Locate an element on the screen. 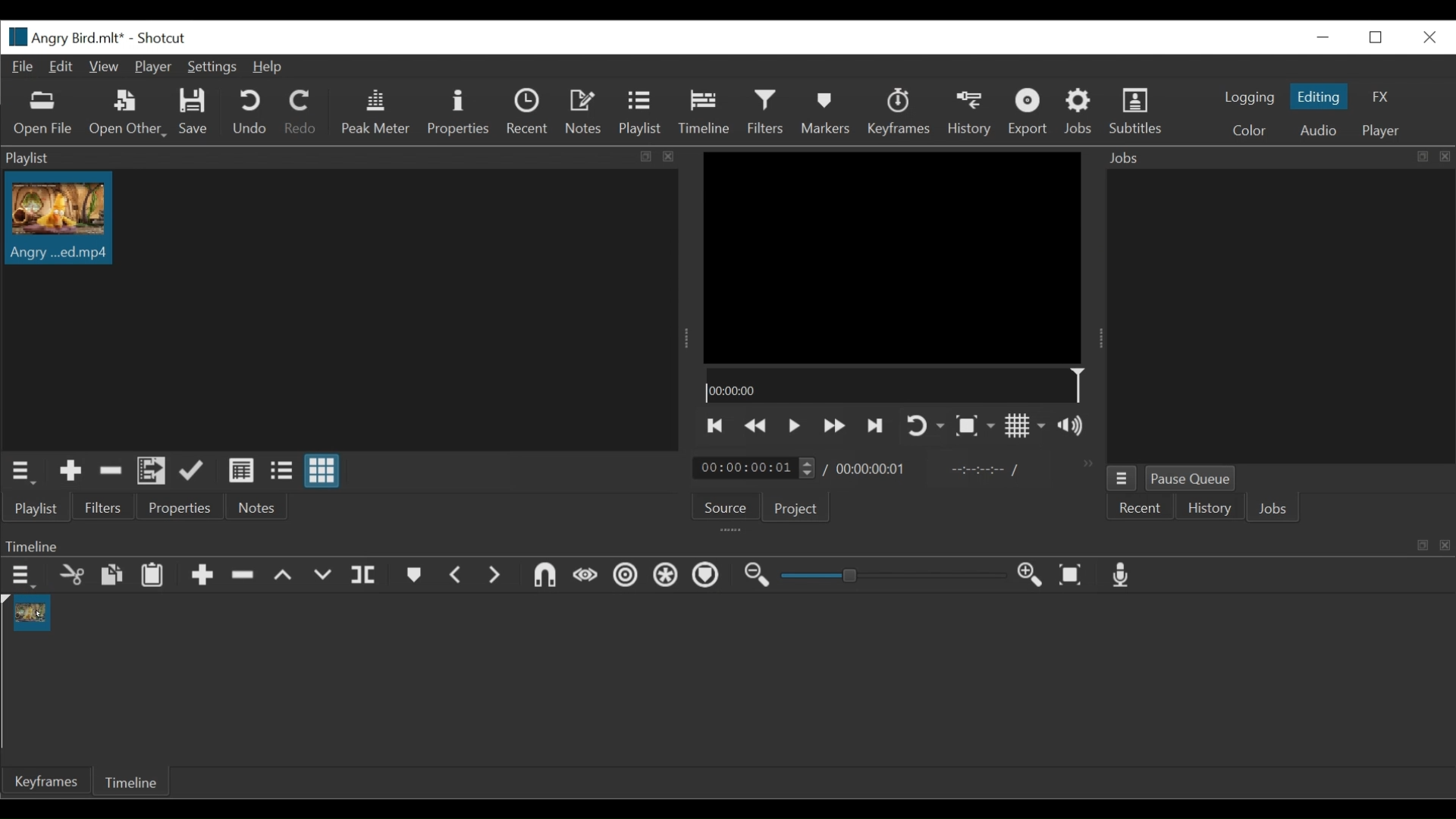  jobs menu is located at coordinates (1121, 479).